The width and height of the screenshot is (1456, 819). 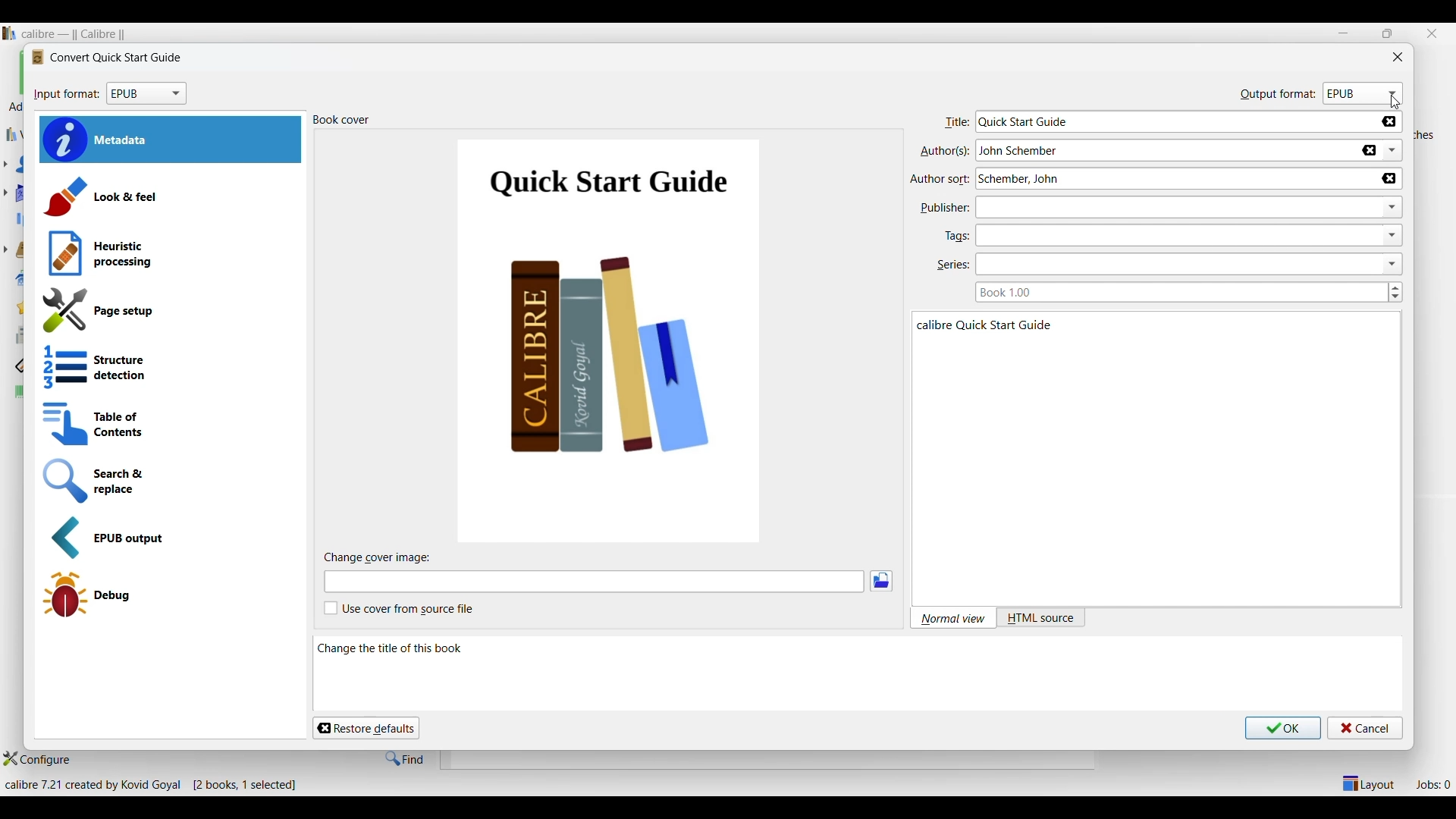 What do you see at coordinates (386, 558) in the screenshot?
I see `change cover image` at bounding box center [386, 558].